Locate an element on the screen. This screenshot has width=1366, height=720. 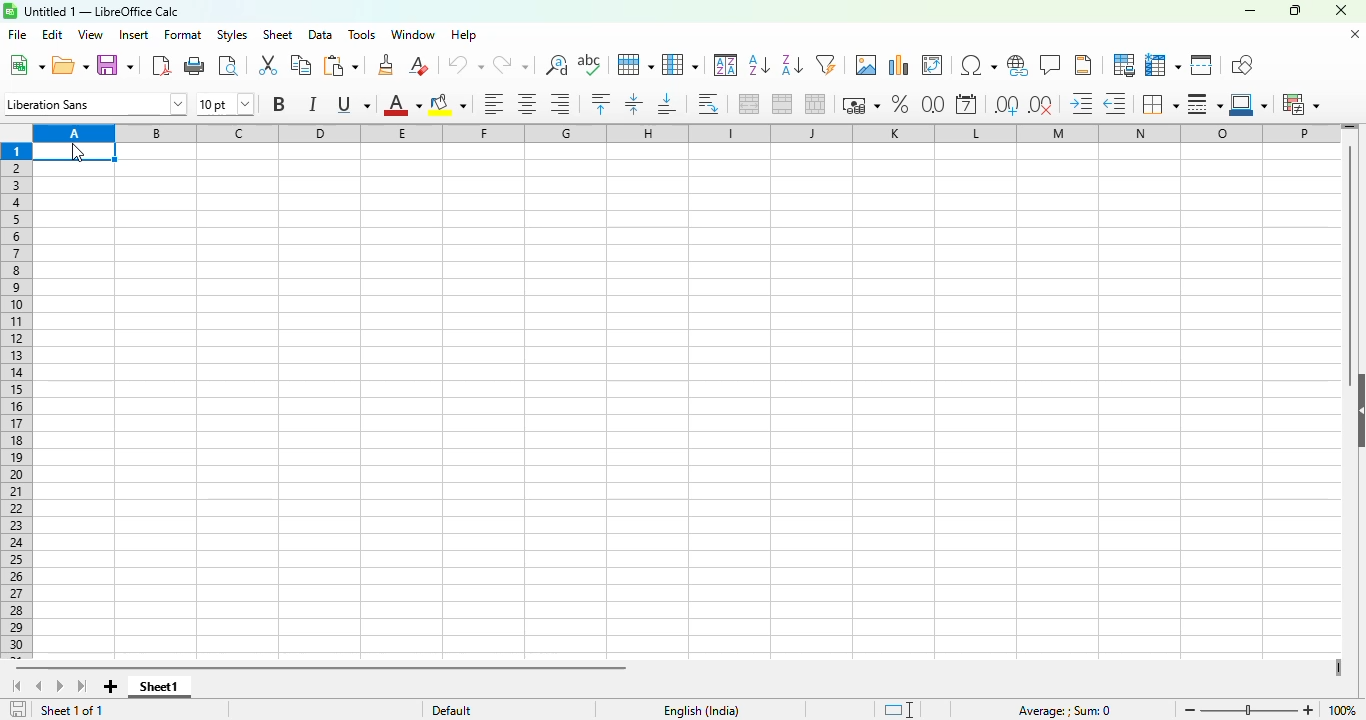
row is located at coordinates (634, 65).